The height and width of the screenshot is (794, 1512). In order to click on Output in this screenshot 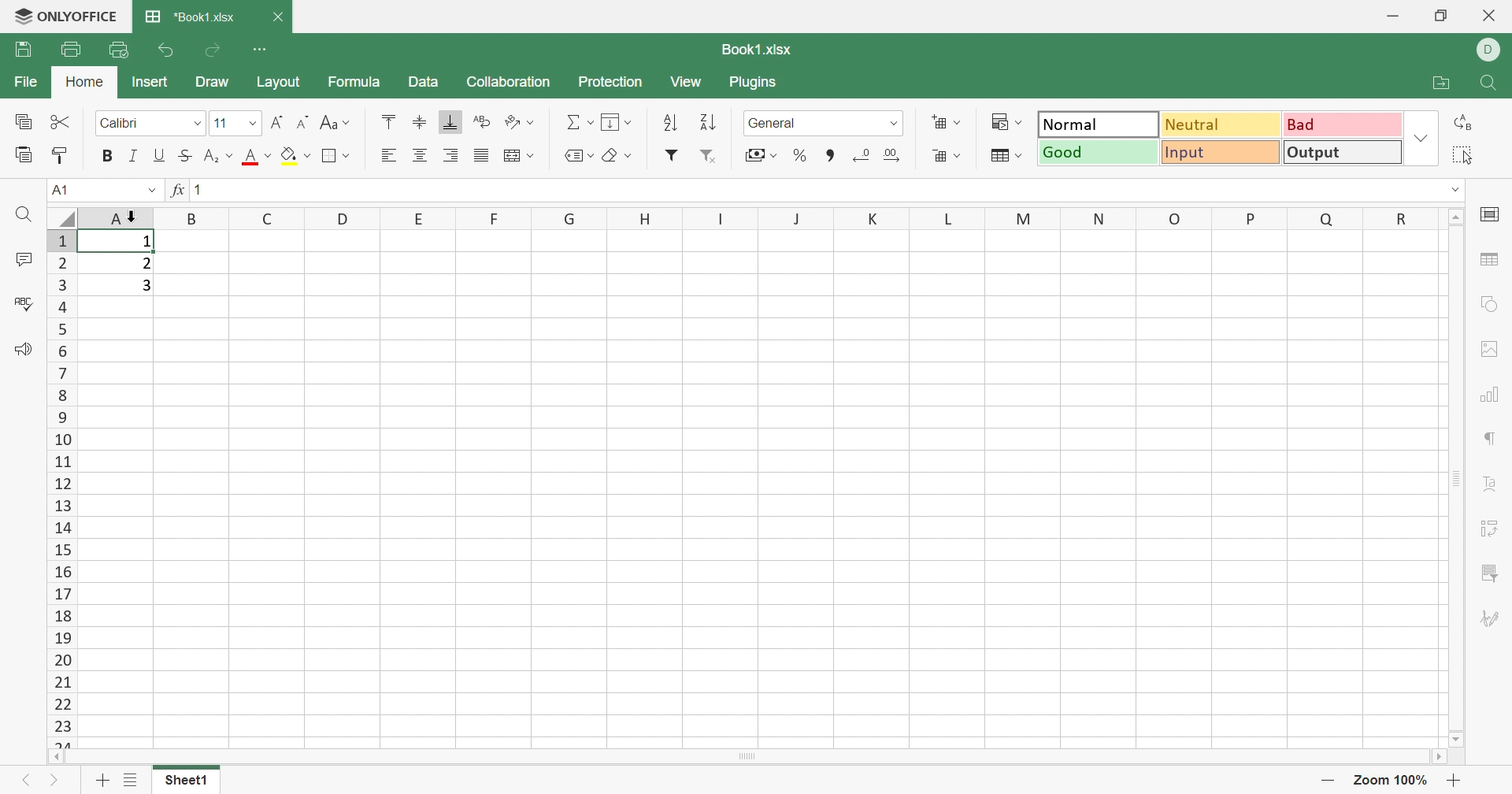, I will do `click(1343, 151)`.